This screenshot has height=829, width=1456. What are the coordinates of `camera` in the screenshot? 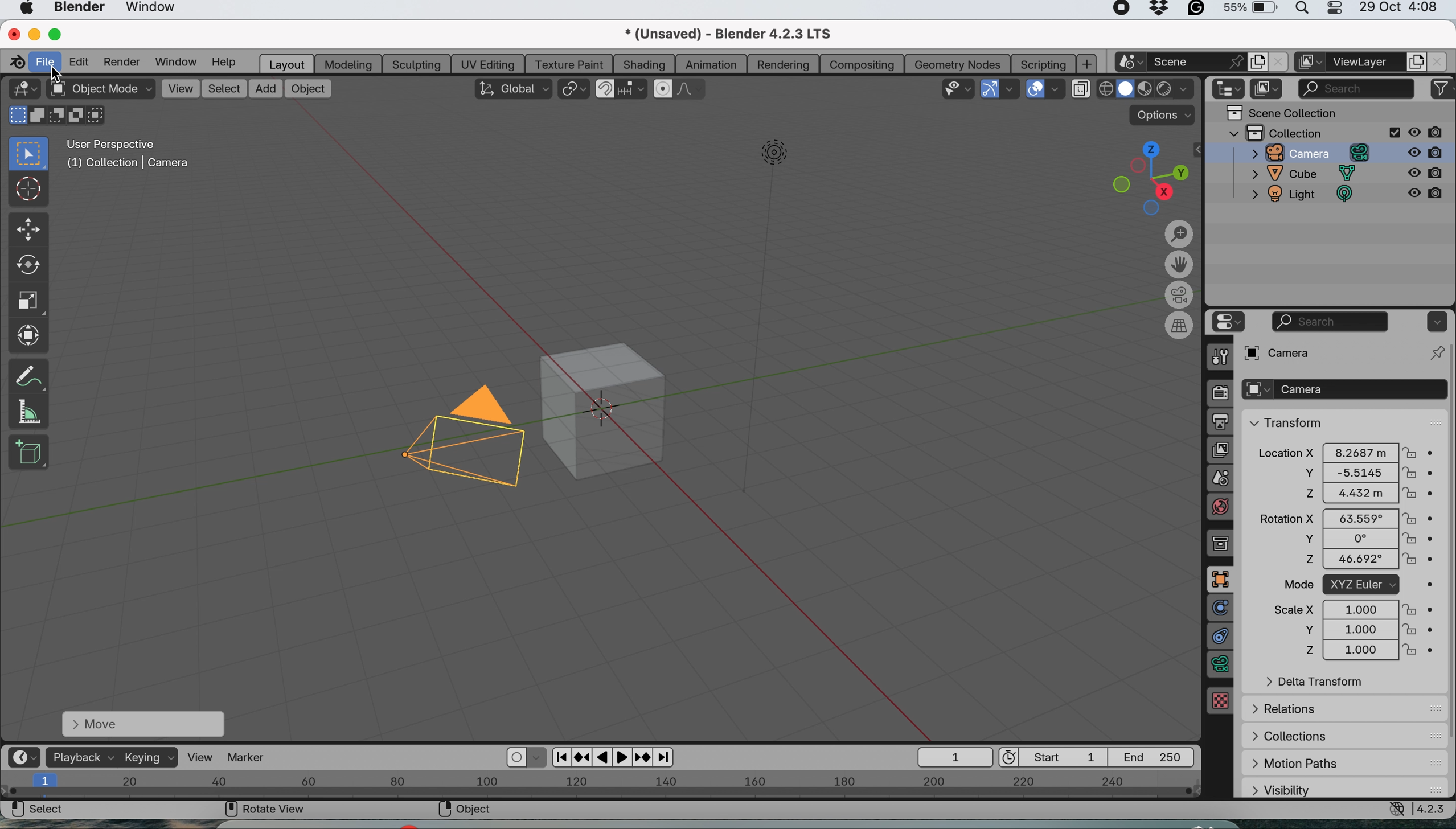 It's located at (1297, 352).